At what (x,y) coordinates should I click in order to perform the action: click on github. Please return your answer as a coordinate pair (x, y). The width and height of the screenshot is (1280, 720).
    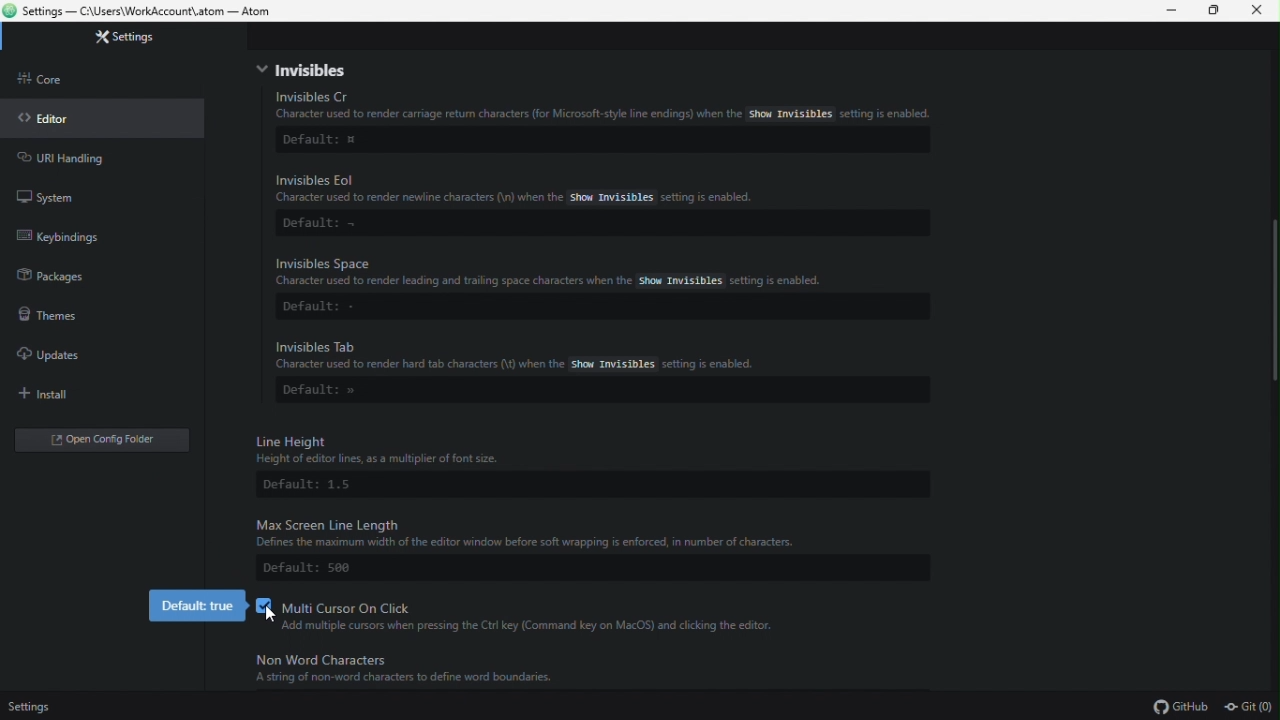
    Looking at the image, I should click on (1175, 706).